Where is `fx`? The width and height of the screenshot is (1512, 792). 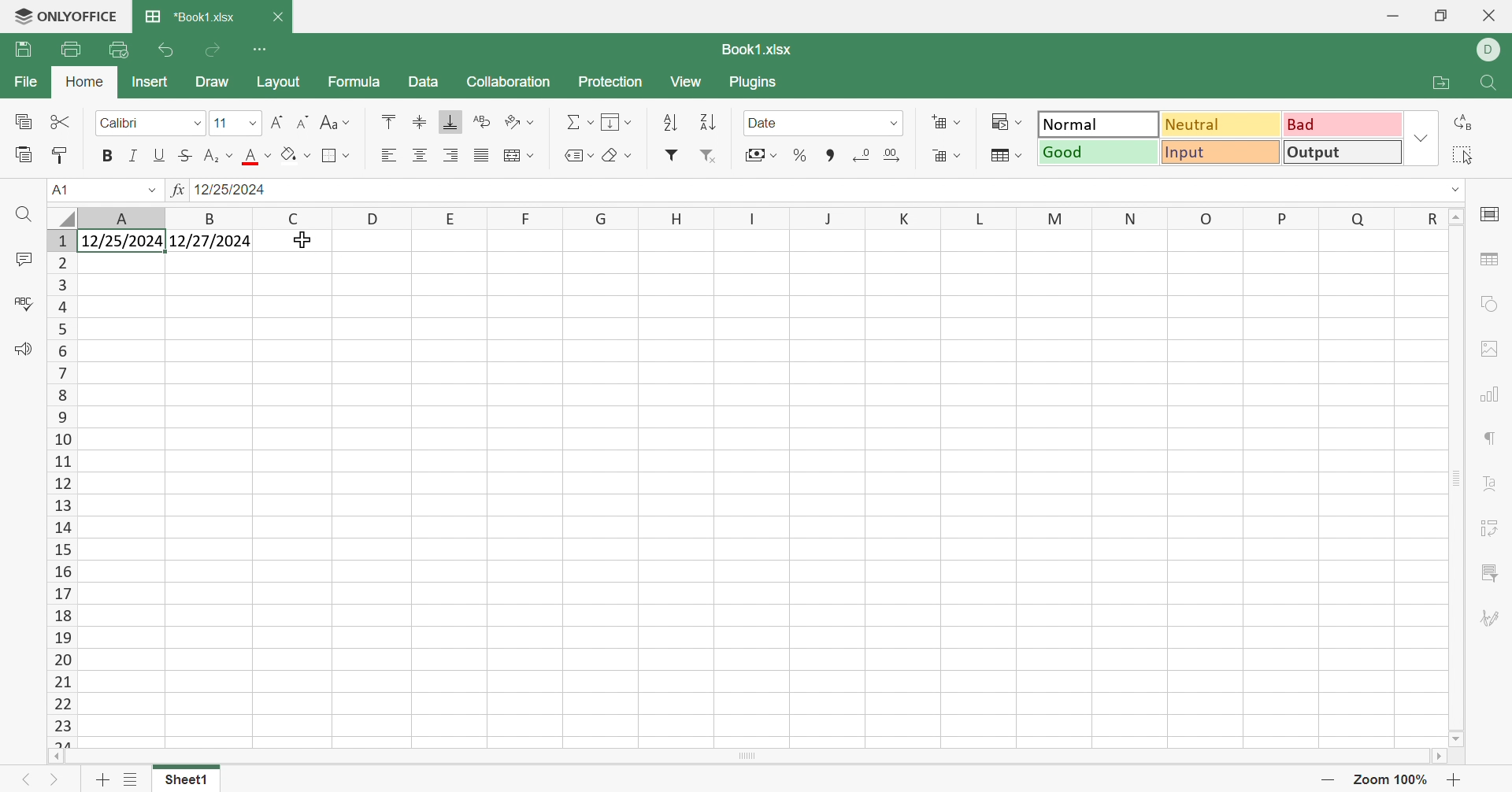
fx is located at coordinates (176, 190).